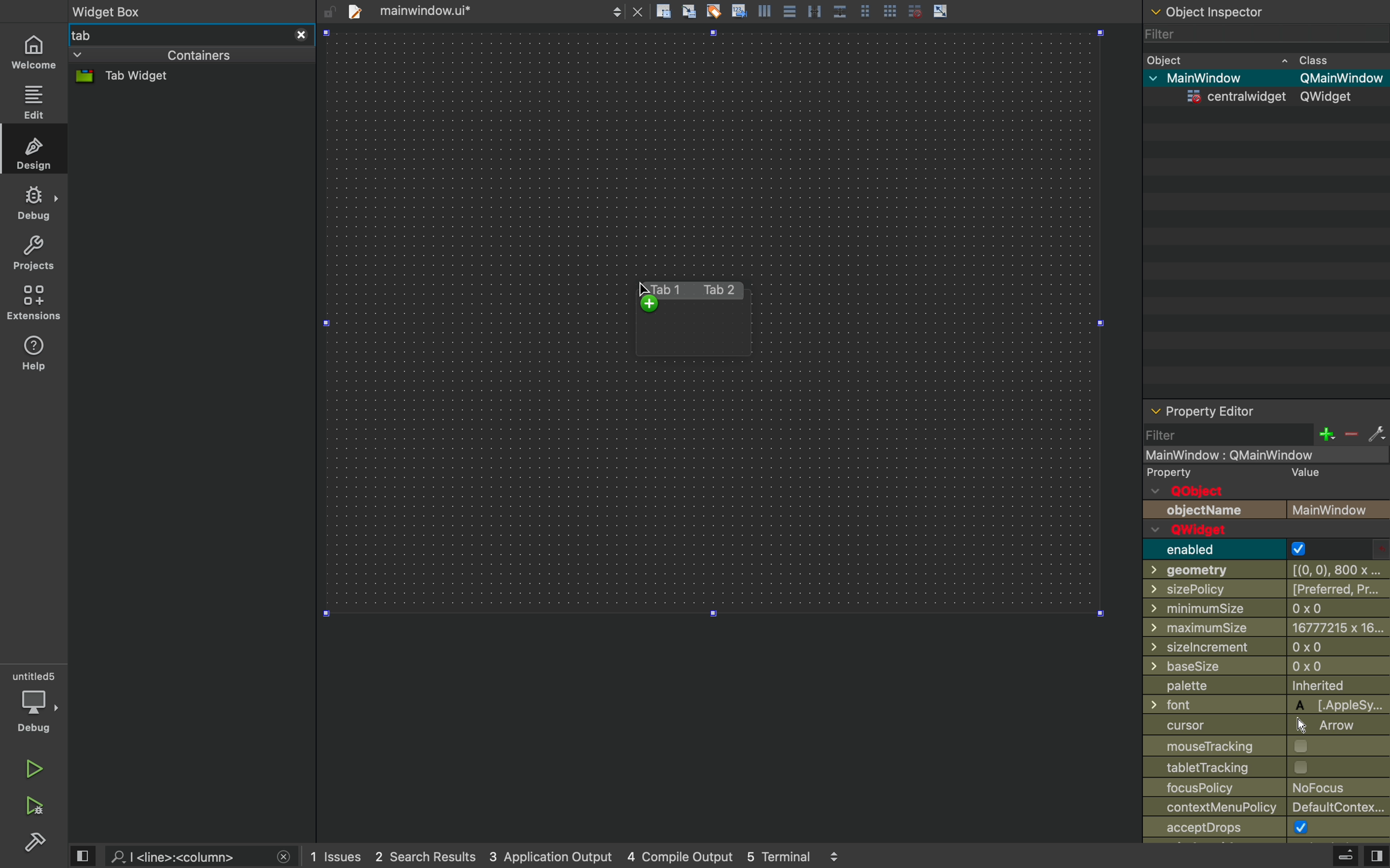  Describe the element at coordinates (36, 253) in the screenshot. I see `projects` at that location.